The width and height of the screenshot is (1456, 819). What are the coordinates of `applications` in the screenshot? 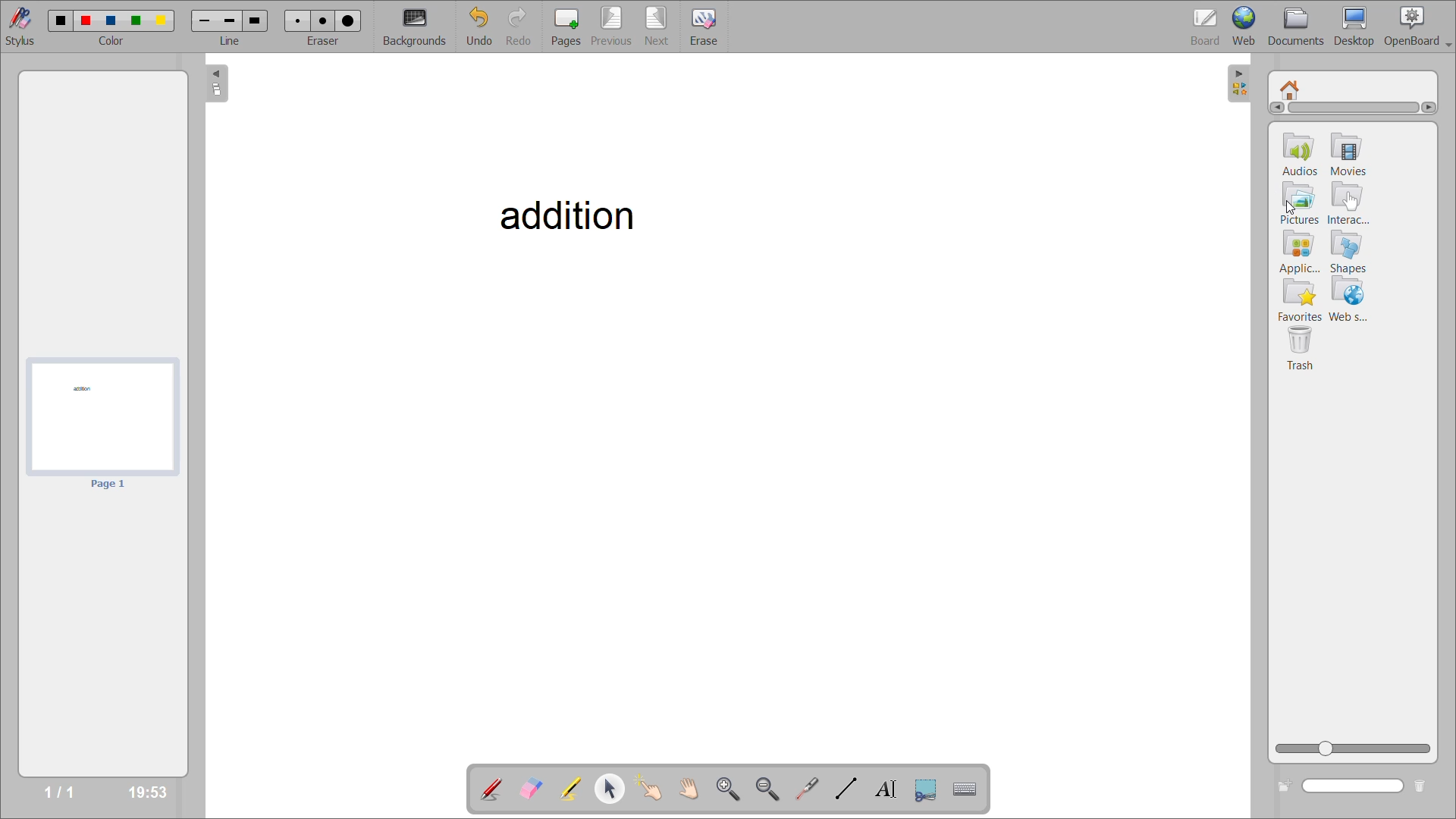 It's located at (1302, 251).